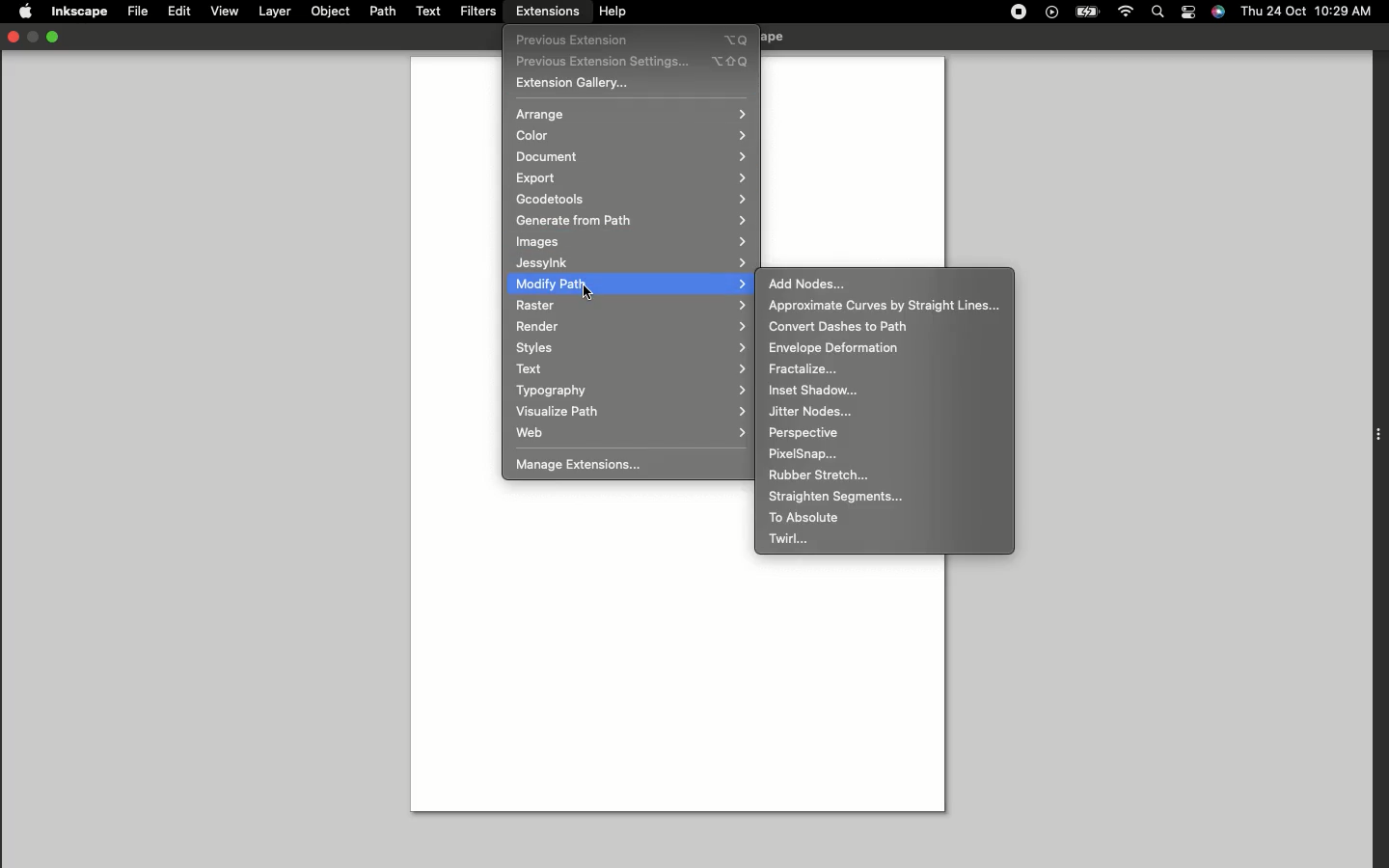  Describe the element at coordinates (15, 39) in the screenshot. I see `Close` at that location.